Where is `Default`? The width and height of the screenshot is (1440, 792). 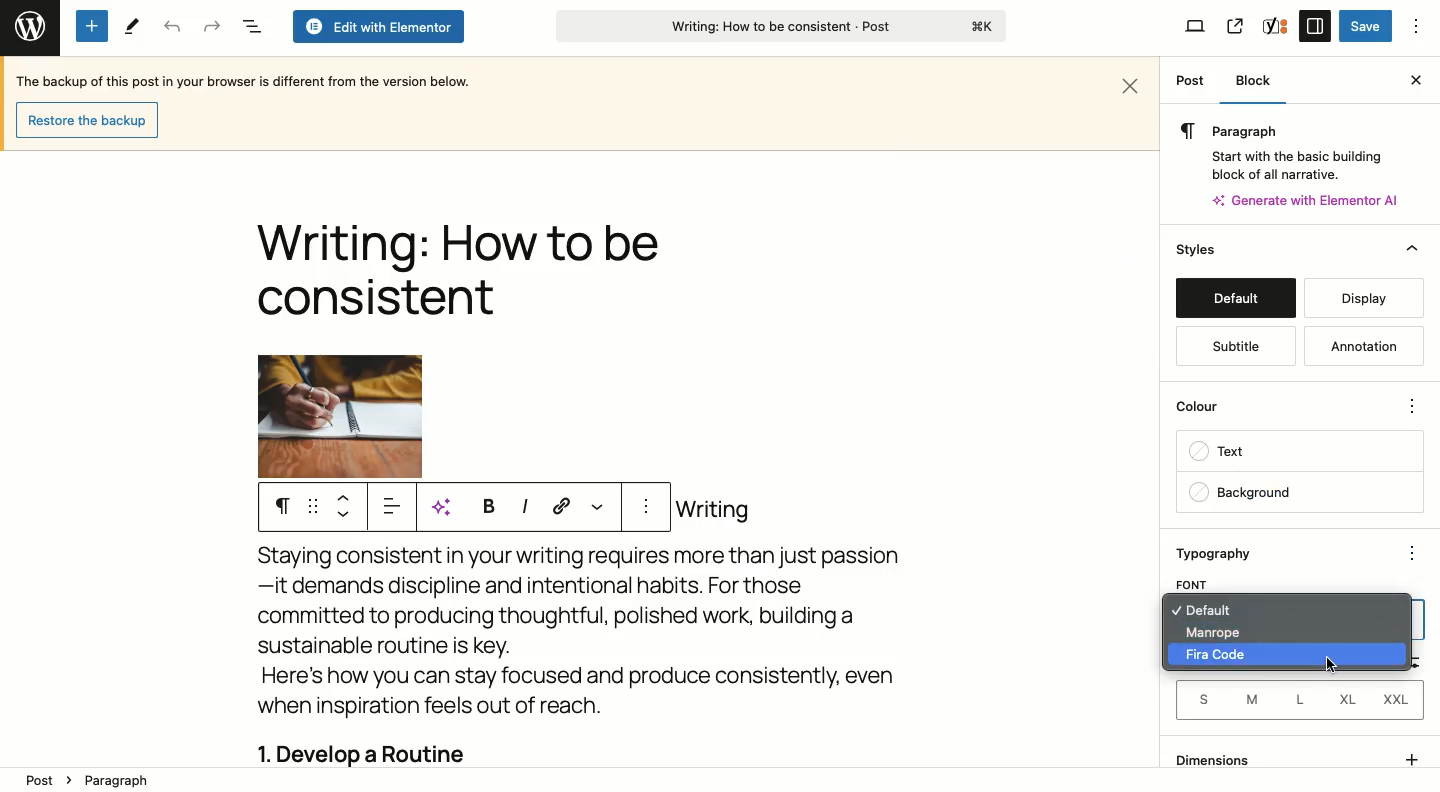 Default is located at coordinates (1235, 298).